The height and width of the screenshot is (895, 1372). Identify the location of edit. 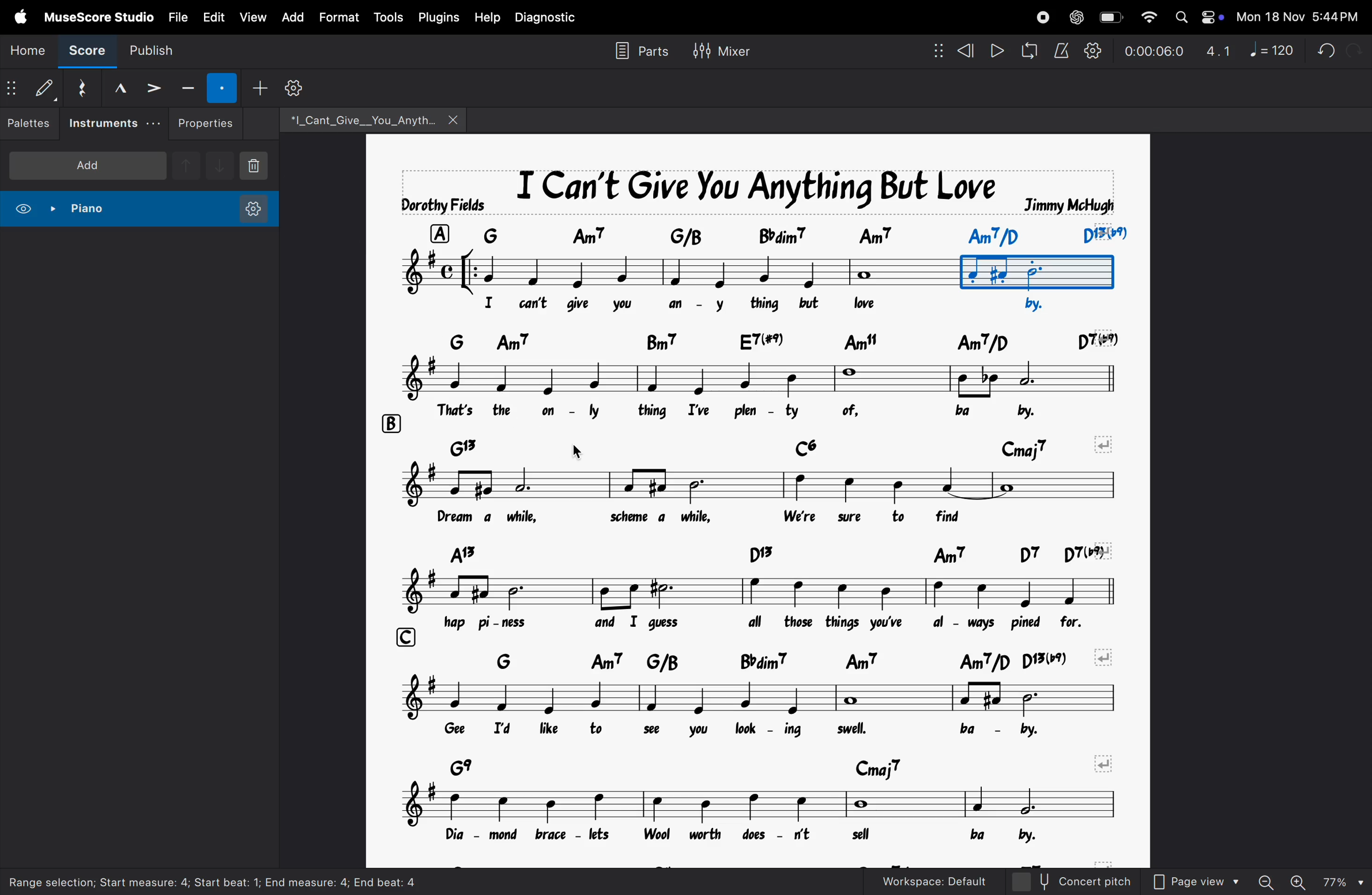
(213, 17).